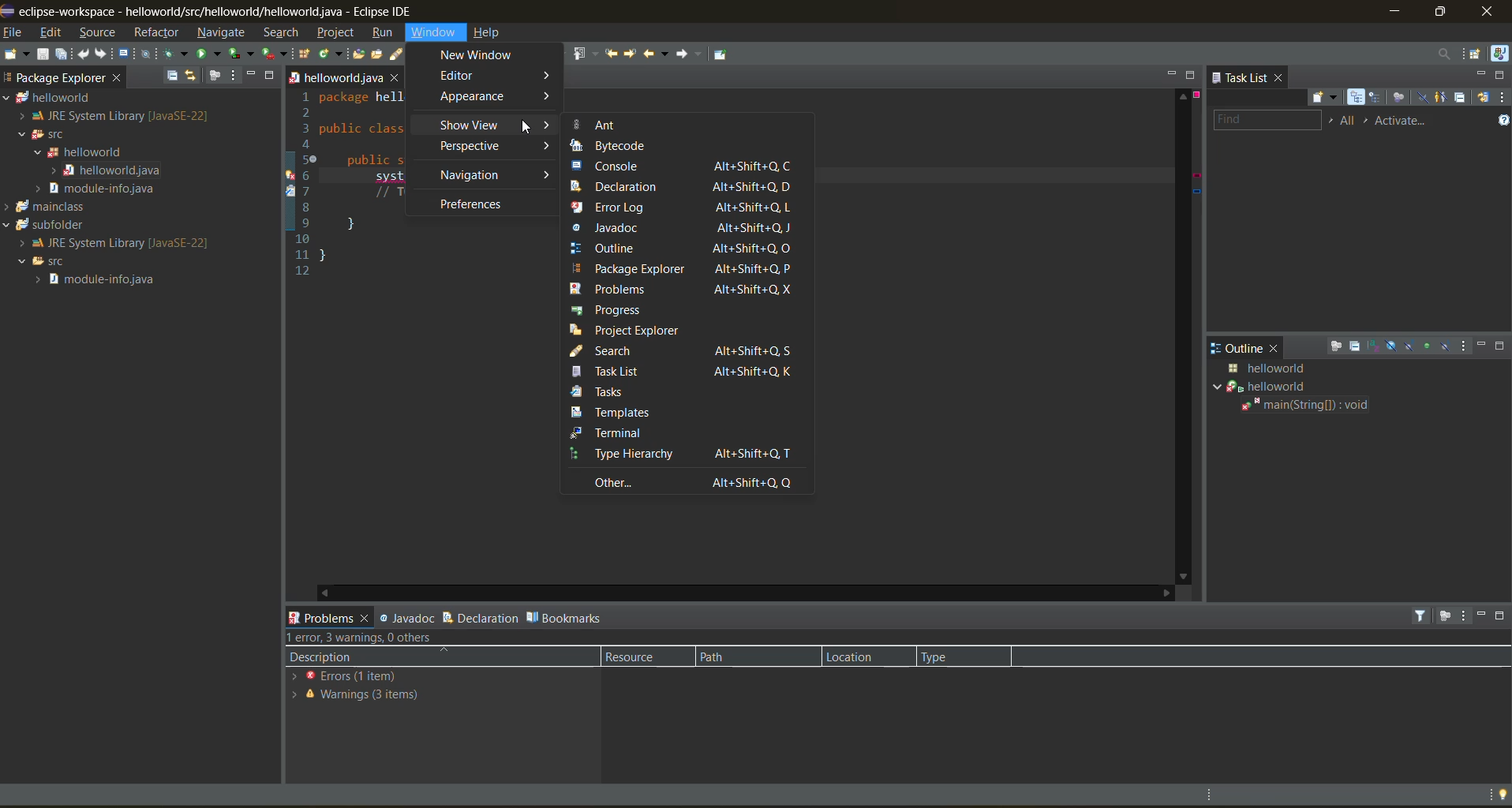  What do you see at coordinates (378, 54) in the screenshot?
I see `open task` at bounding box center [378, 54].